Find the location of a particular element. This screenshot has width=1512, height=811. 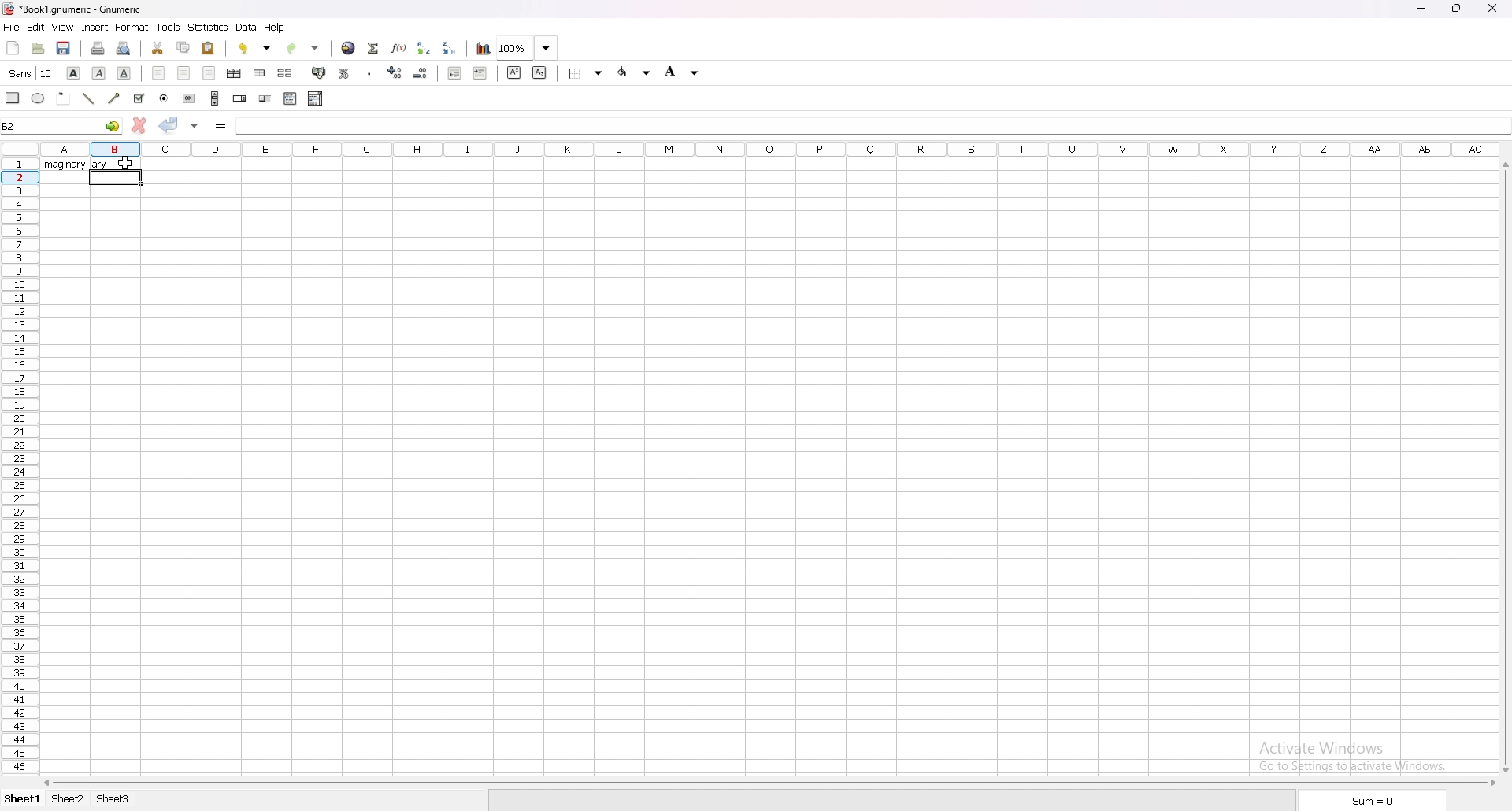

increase decimals is located at coordinates (395, 72).